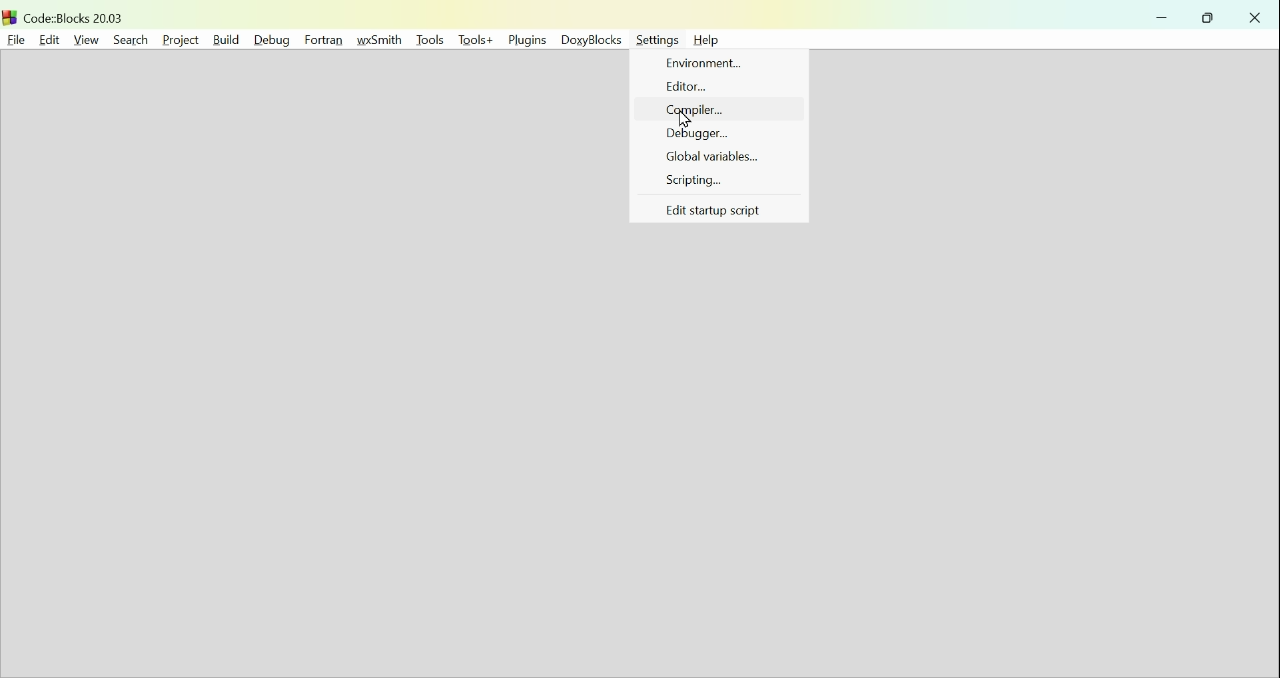 The height and width of the screenshot is (678, 1280). Describe the element at coordinates (477, 41) in the screenshot. I see `Tools+` at that location.